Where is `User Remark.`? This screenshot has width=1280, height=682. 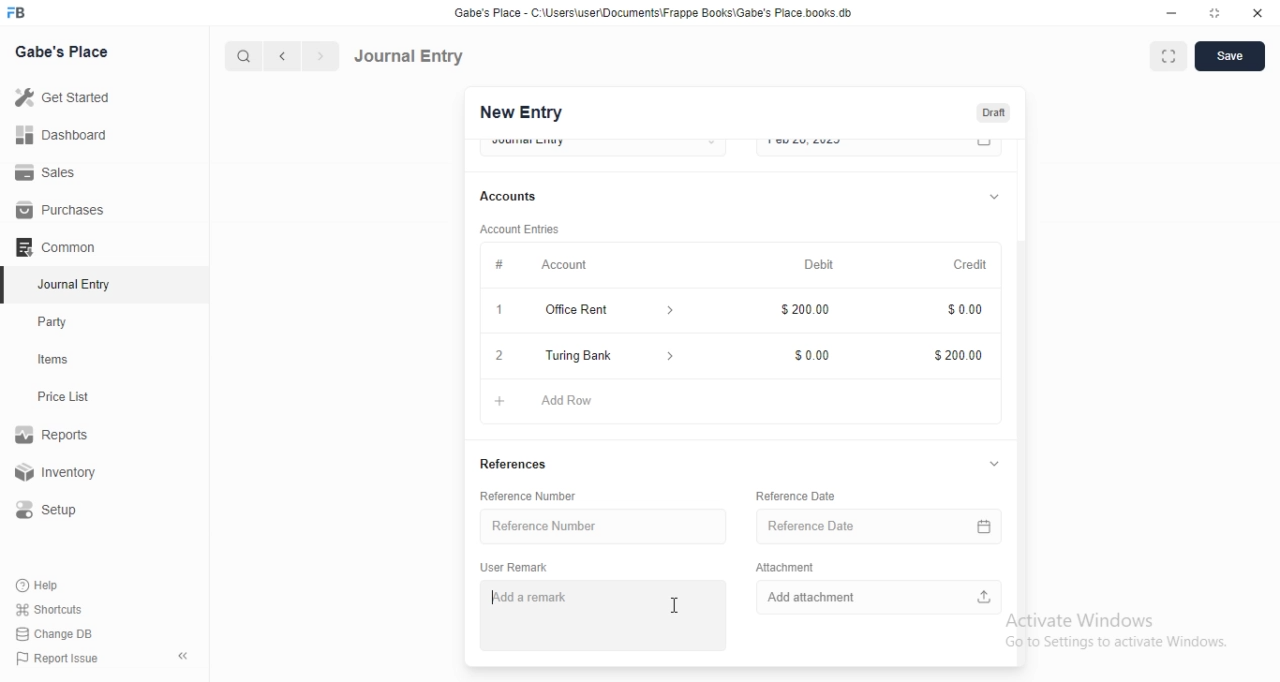
User Remark. is located at coordinates (510, 566).